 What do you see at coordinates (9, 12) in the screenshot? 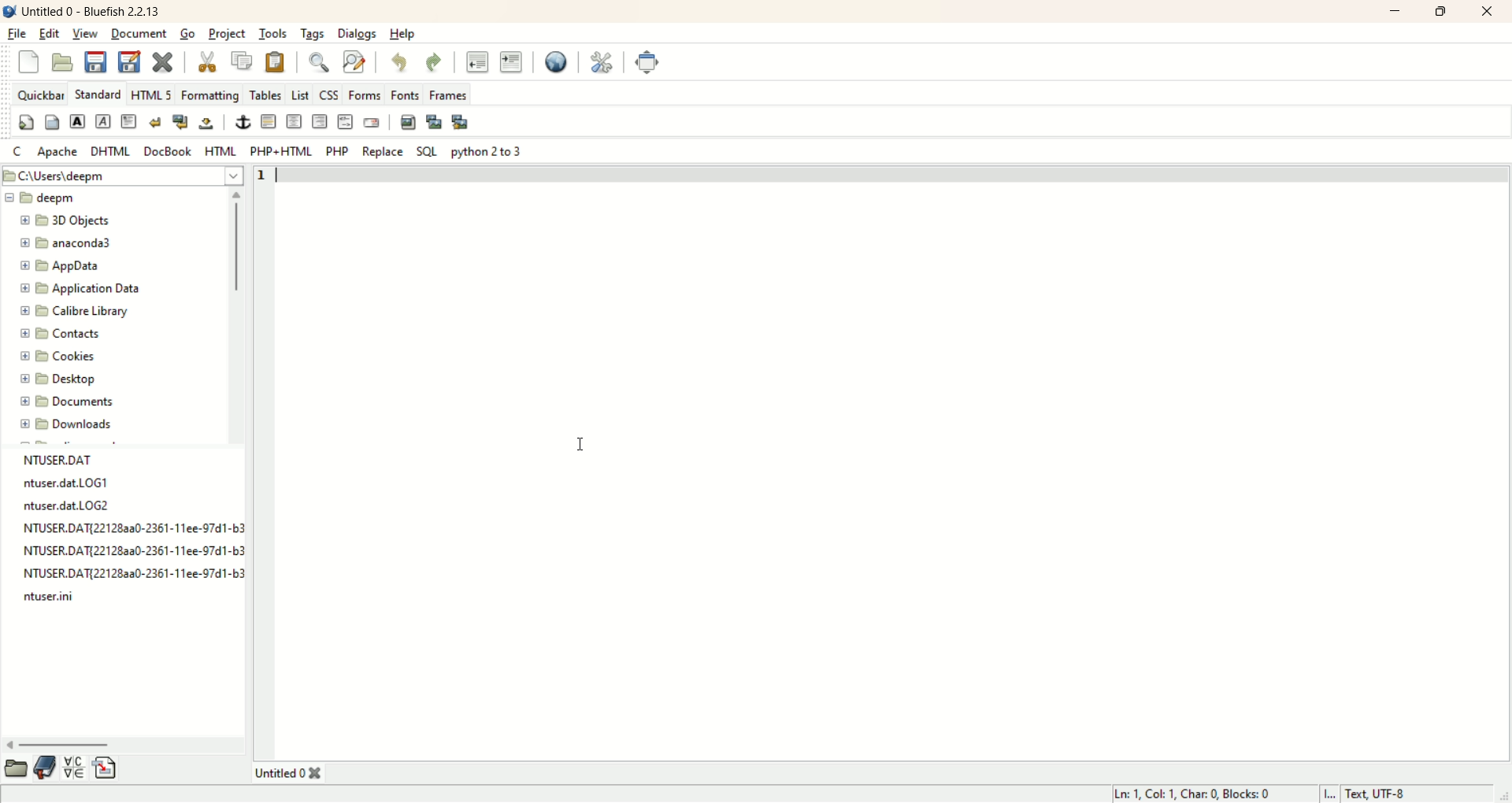
I see `logo` at bounding box center [9, 12].